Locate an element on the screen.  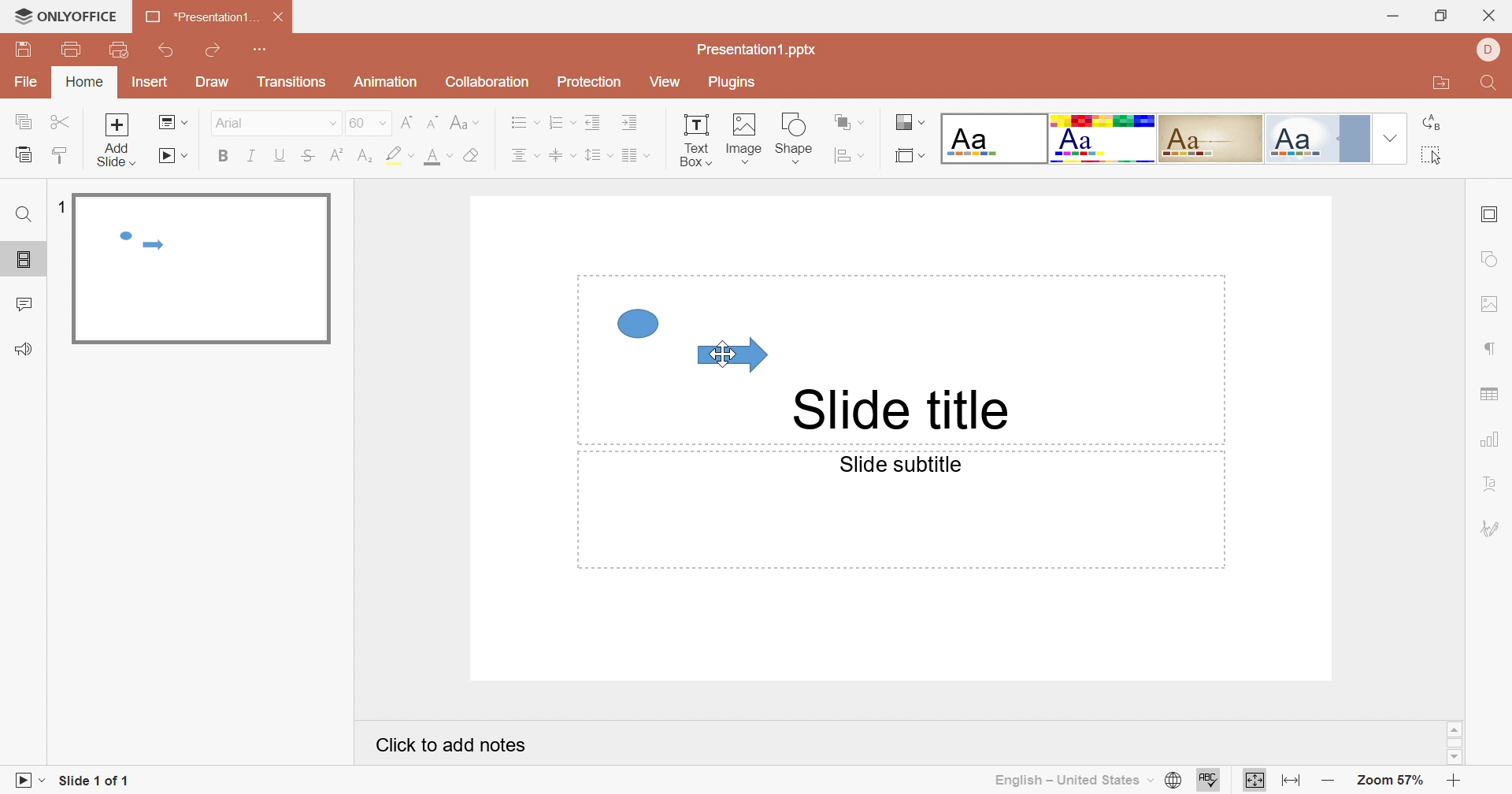
Align shape is located at coordinates (847, 158).